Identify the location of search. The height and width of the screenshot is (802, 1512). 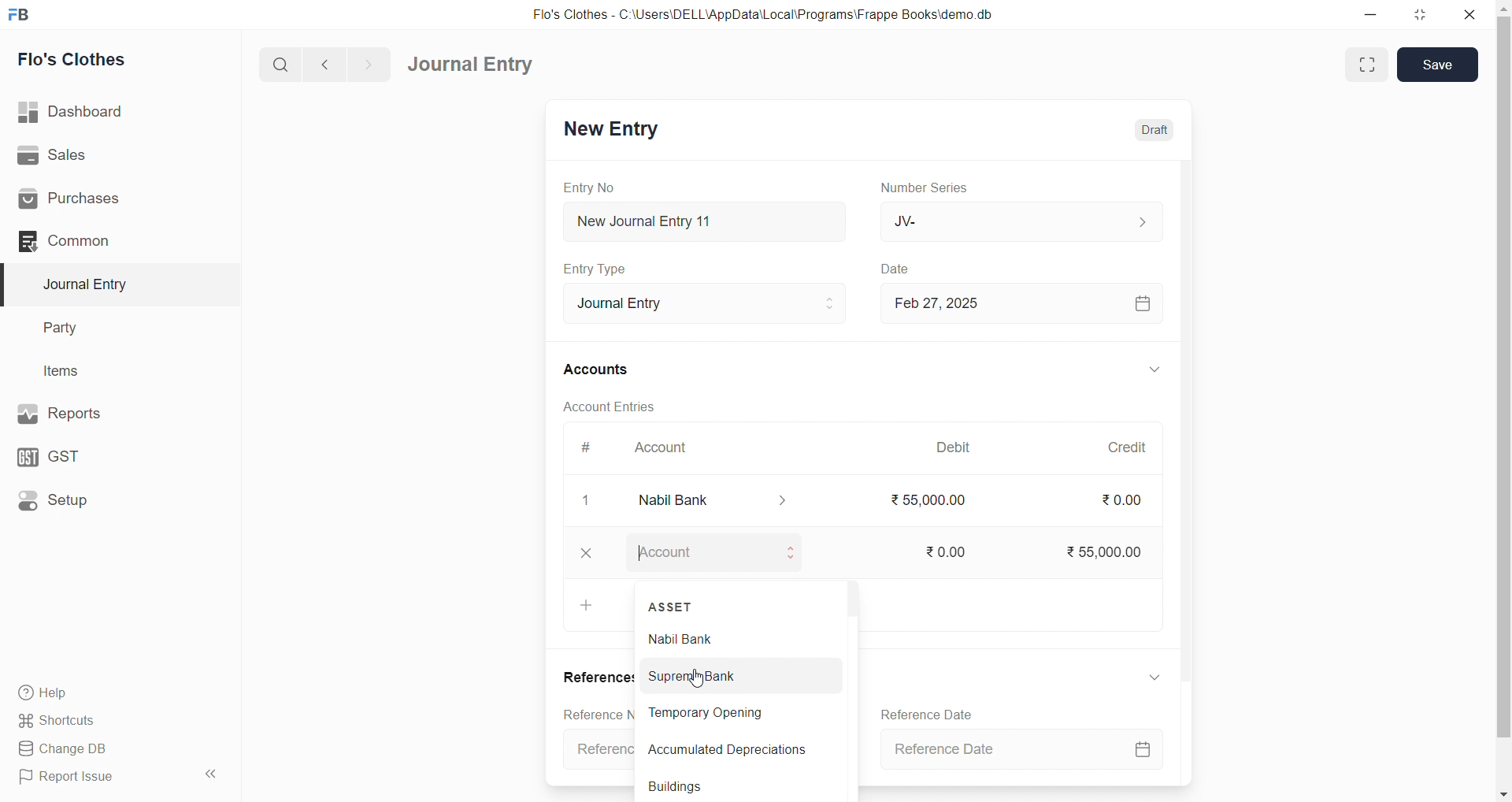
(278, 66).